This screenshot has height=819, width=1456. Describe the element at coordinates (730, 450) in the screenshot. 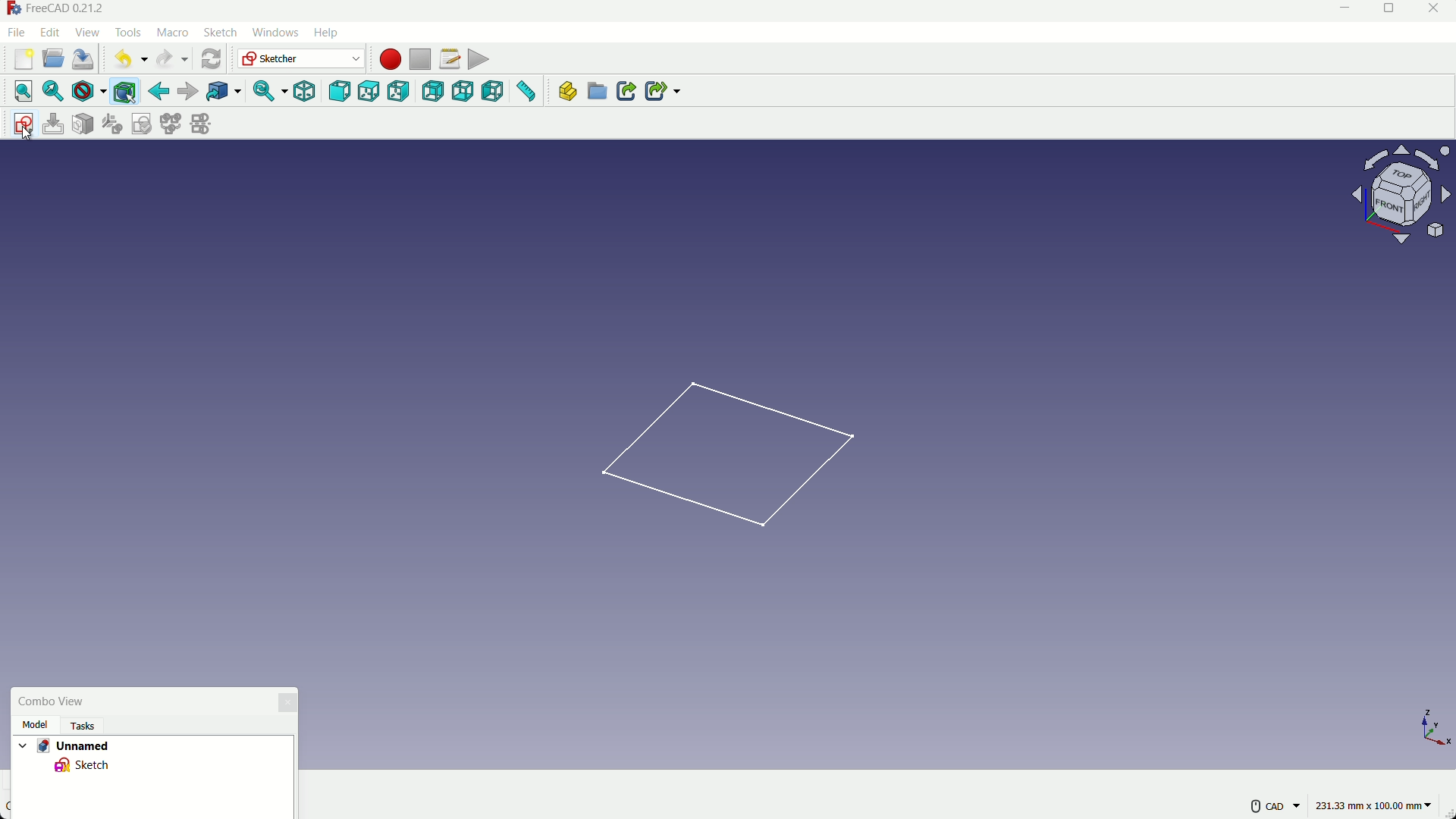

I see `first sketch` at that location.